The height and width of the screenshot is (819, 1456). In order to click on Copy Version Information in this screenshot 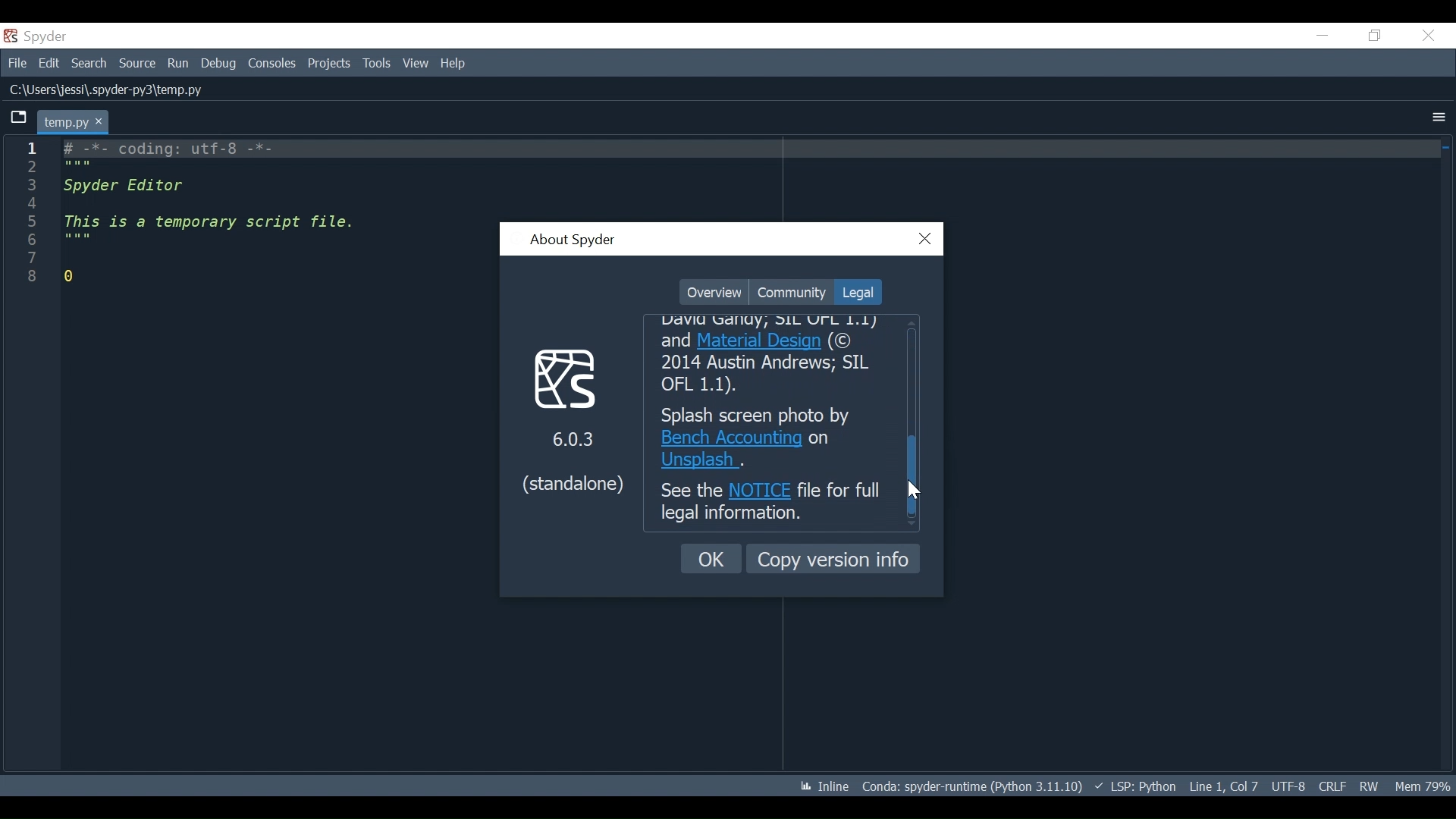, I will do `click(833, 558)`.